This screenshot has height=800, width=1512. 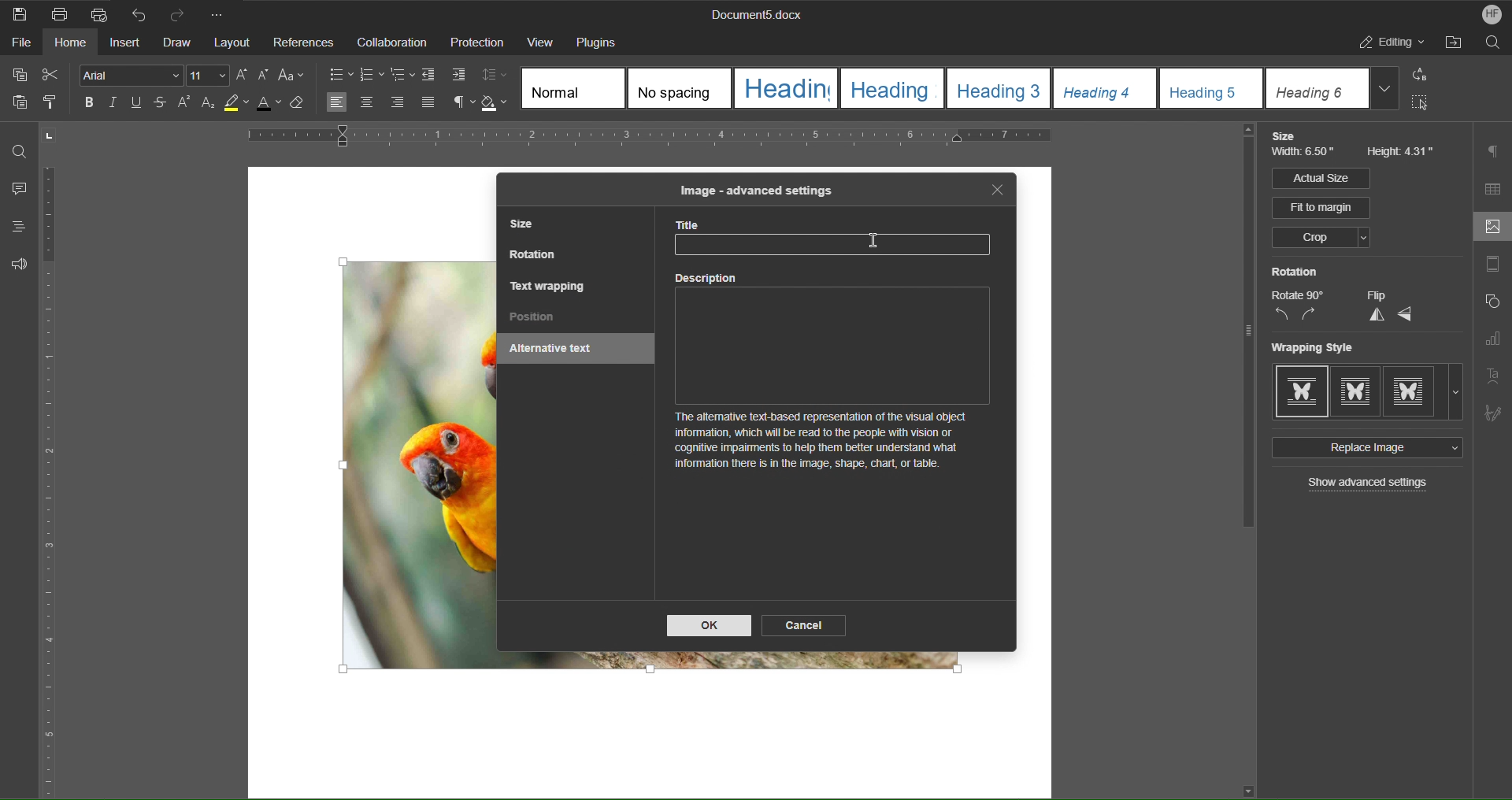 What do you see at coordinates (54, 75) in the screenshot?
I see `Cut` at bounding box center [54, 75].